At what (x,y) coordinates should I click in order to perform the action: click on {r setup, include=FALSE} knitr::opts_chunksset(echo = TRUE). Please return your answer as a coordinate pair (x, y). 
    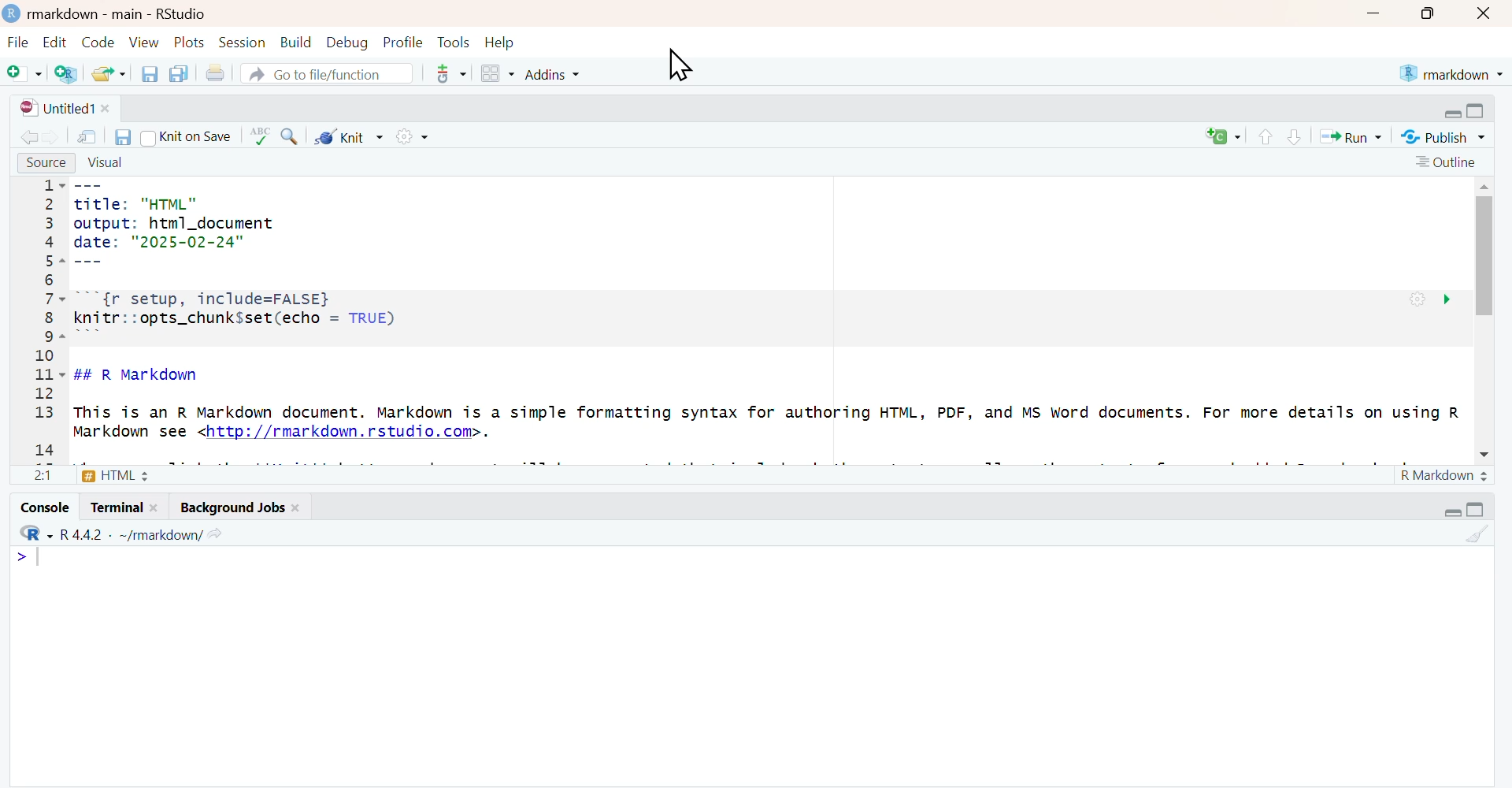
    Looking at the image, I should click on (379, 315).